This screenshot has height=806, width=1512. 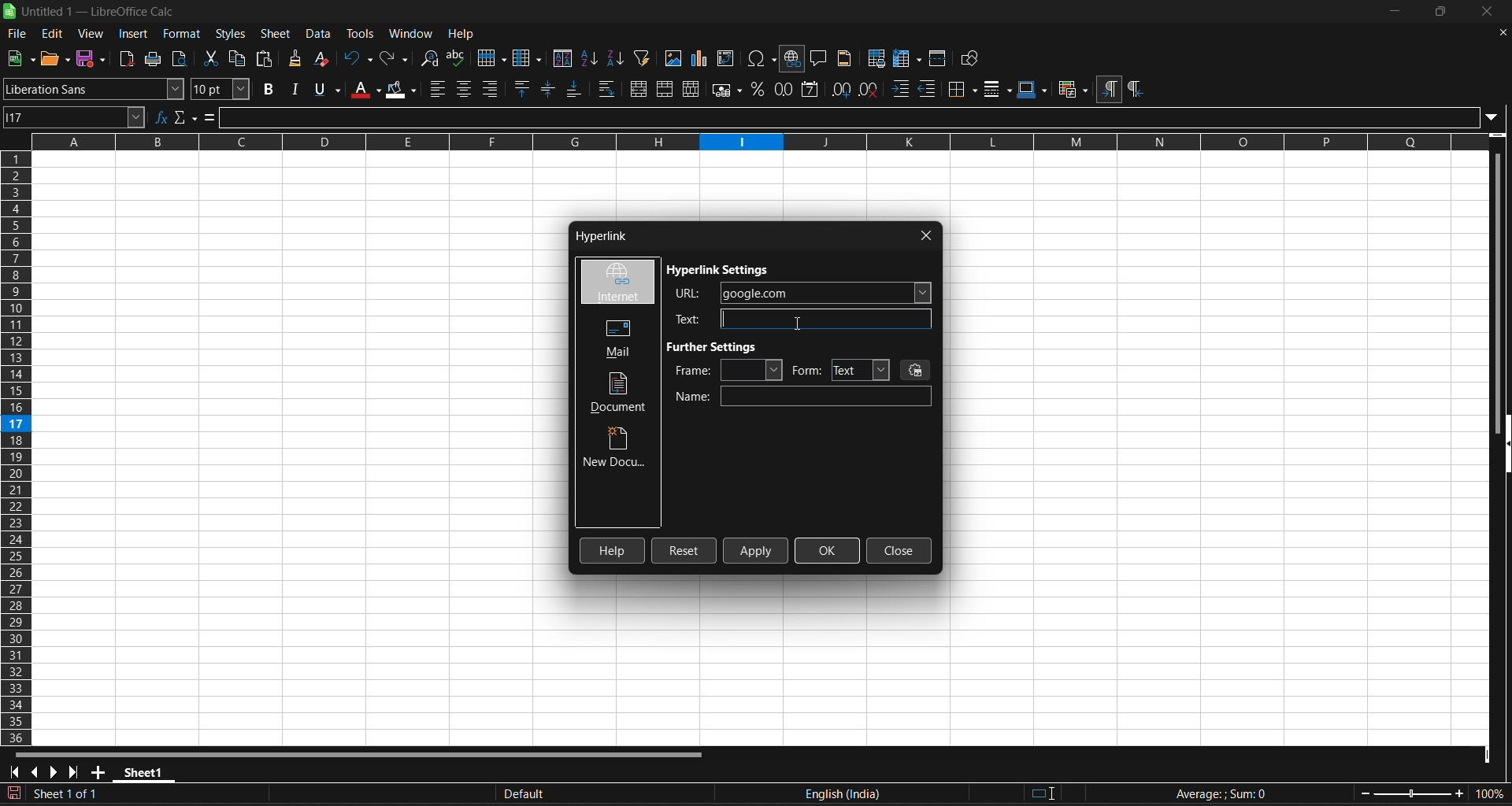 What do you see at coordinates (1072, 90) in the screenshot?
I see `conditional` at bounding box center [1072, 90].